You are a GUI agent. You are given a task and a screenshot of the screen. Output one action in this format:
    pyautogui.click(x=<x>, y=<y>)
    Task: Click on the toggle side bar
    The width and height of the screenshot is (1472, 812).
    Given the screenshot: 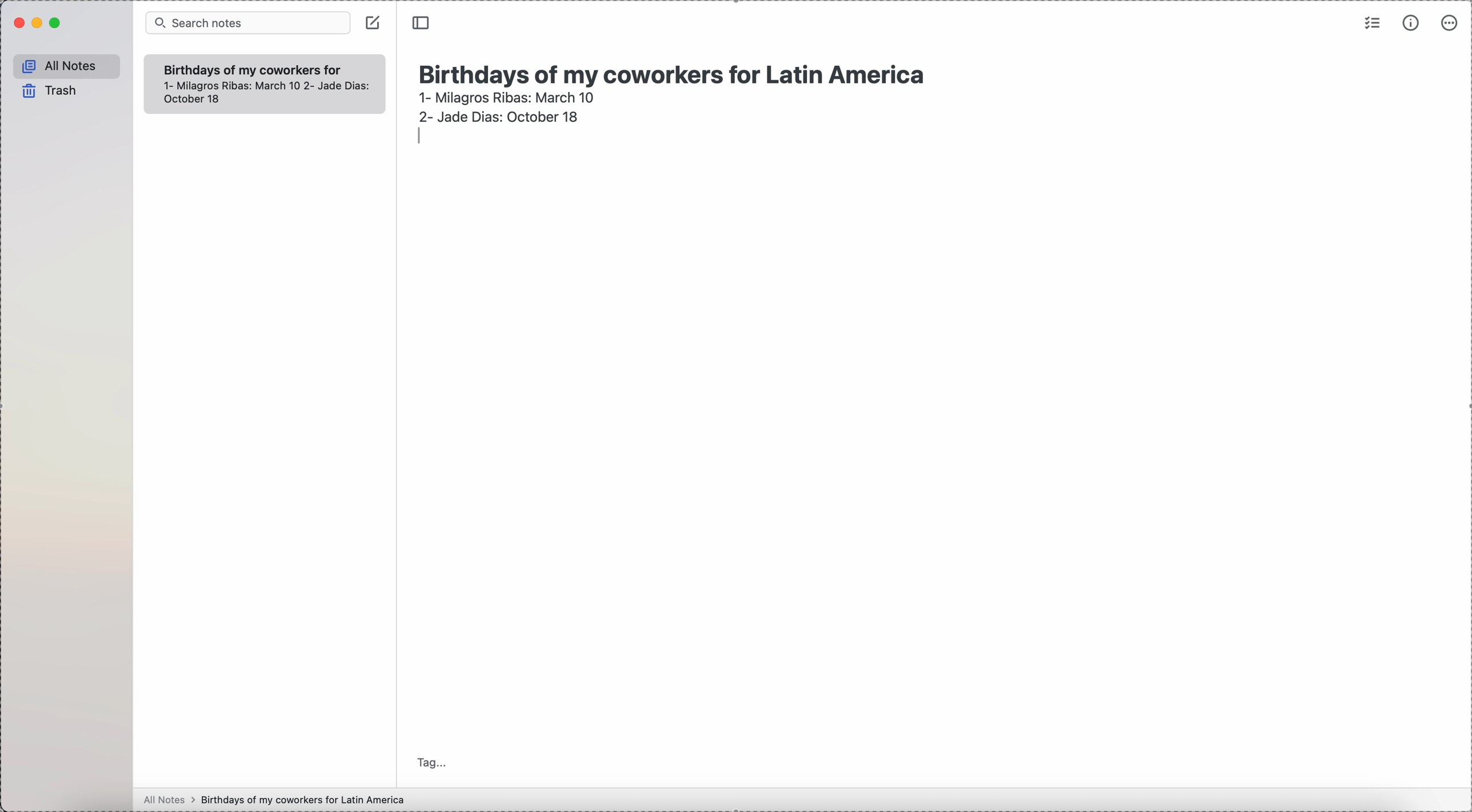 What is the action you would take?
    pyautogui.click(x=422, y=23)
    